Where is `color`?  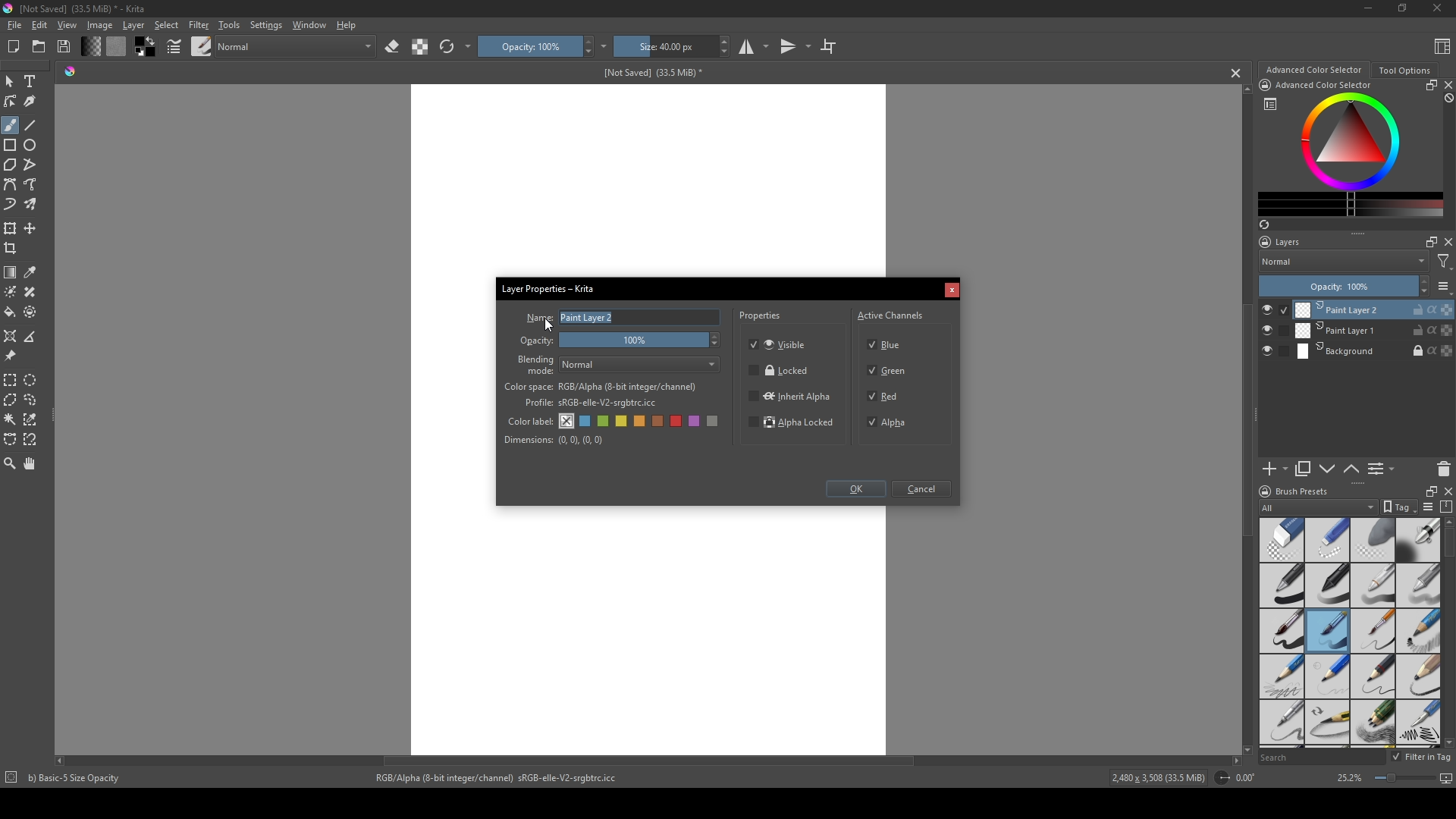 color is located at coordinates (143, 47).